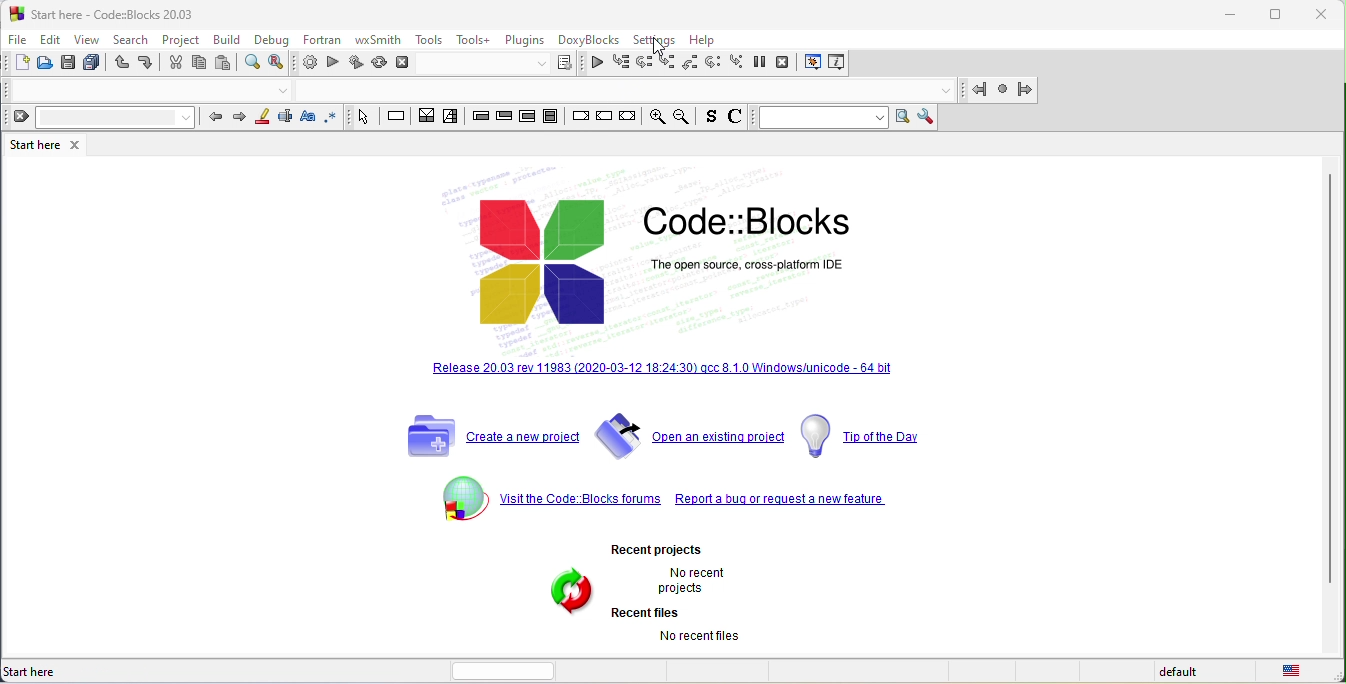  What do you see at coordinates (676, 497) in the screenshot?
I see `visit the code blocks forum report a bug ` at bounding box center [676, 497].